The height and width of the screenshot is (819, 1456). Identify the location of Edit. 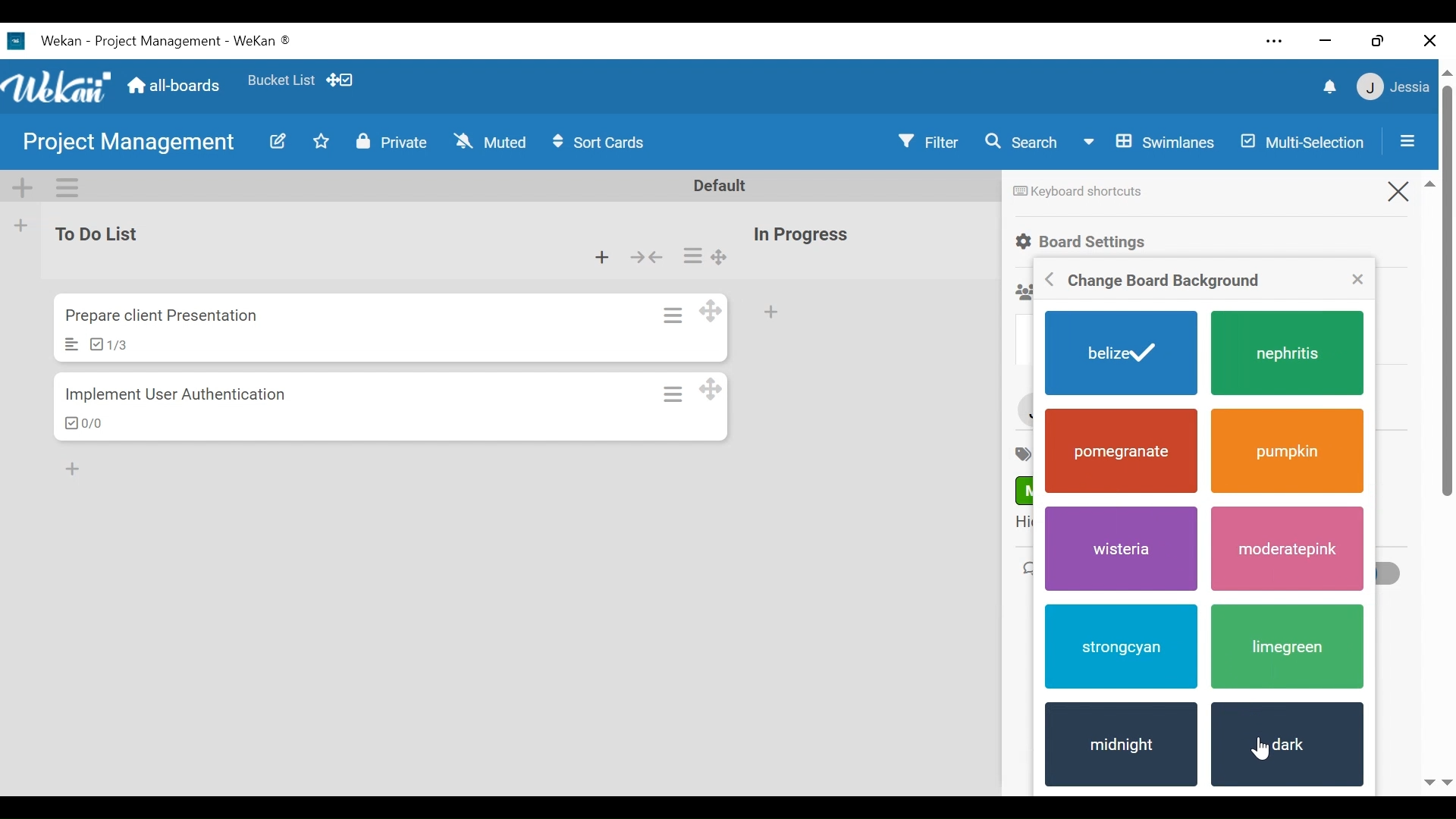
(276, 142).